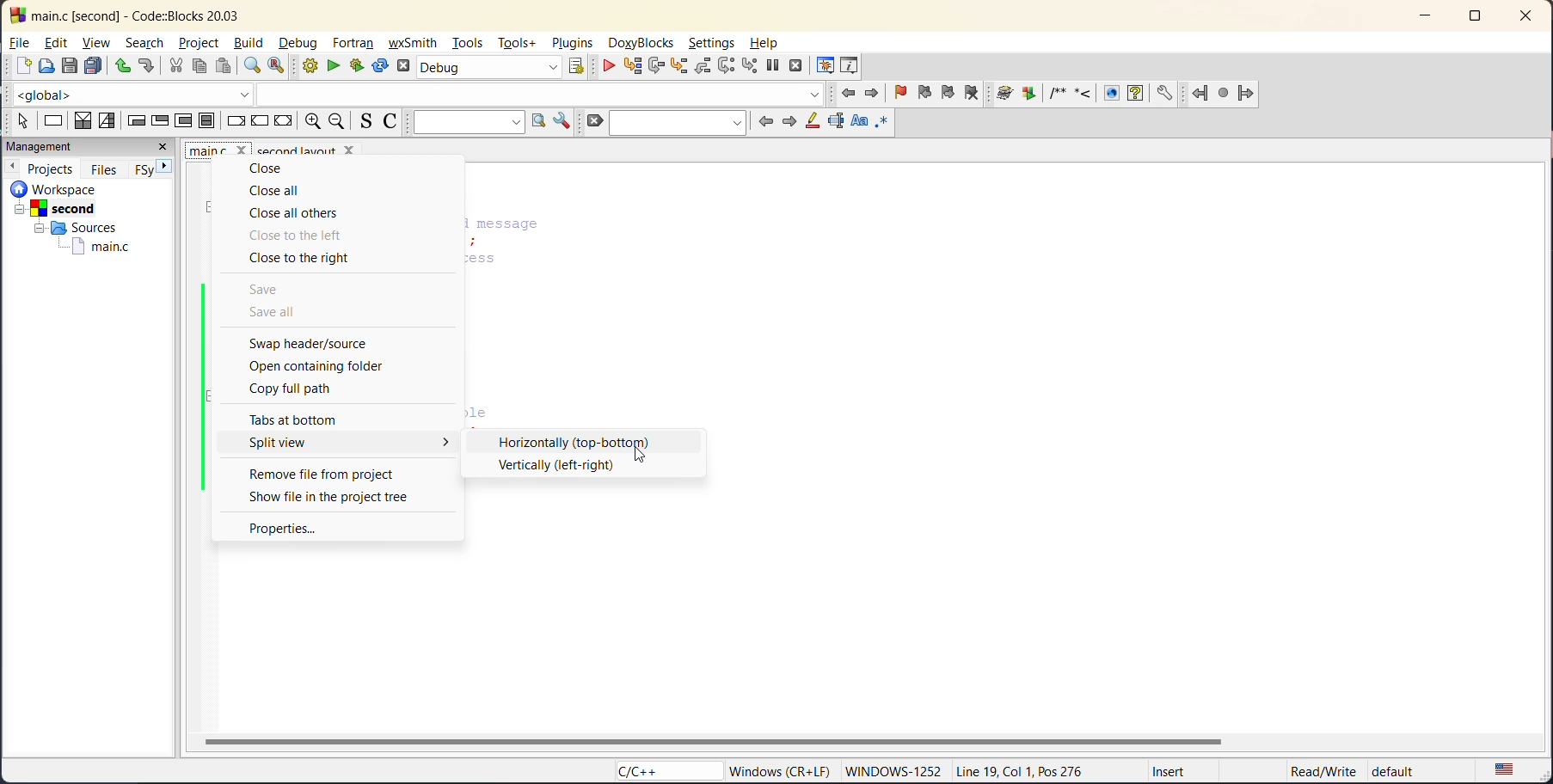  I want to click on save all, so click(276, 313).